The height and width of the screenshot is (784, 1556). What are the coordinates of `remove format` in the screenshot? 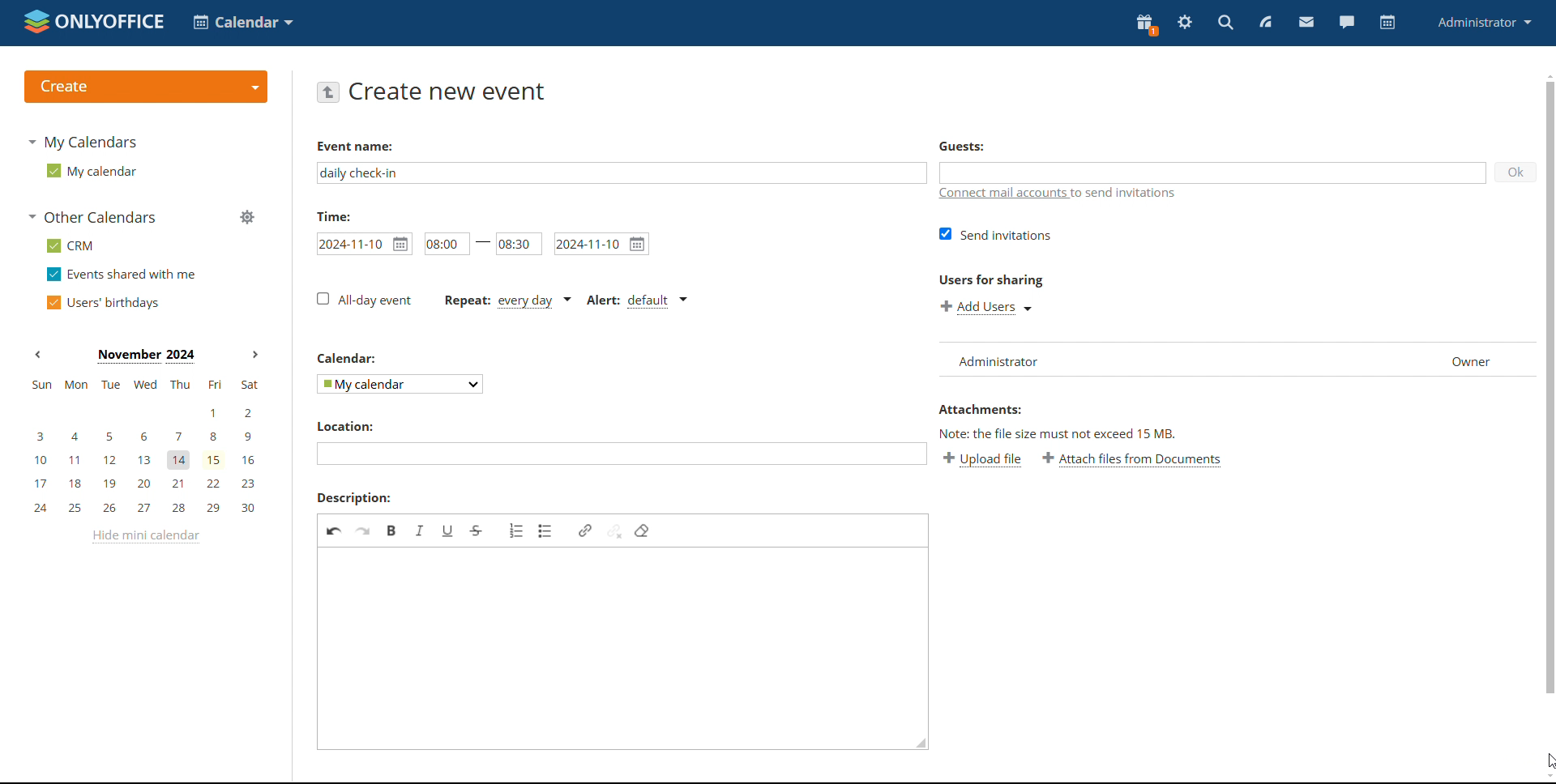 It's located at (641, 530).